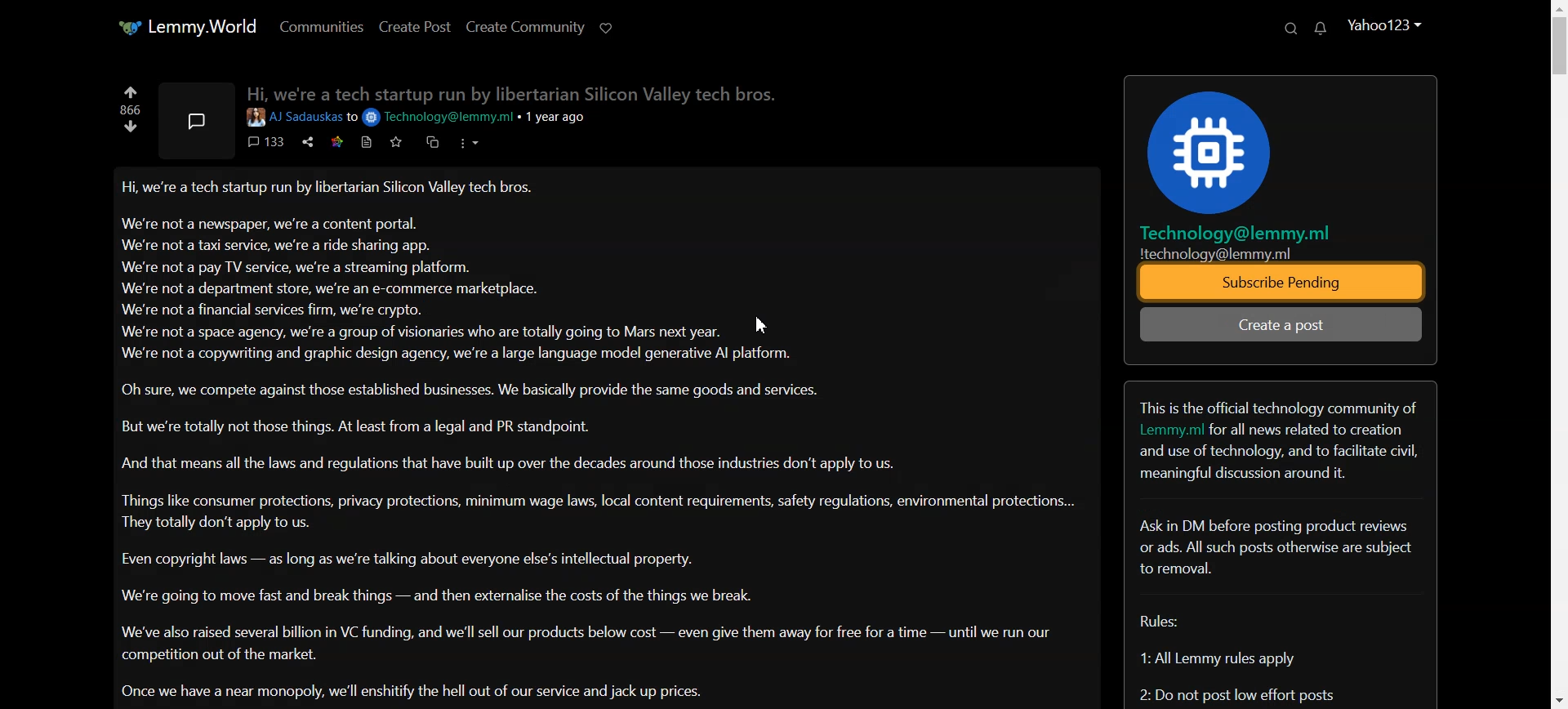  What do you see at coordinates (470, 142) in the screenshot?
I see `options` at bounding box center [470, 142].